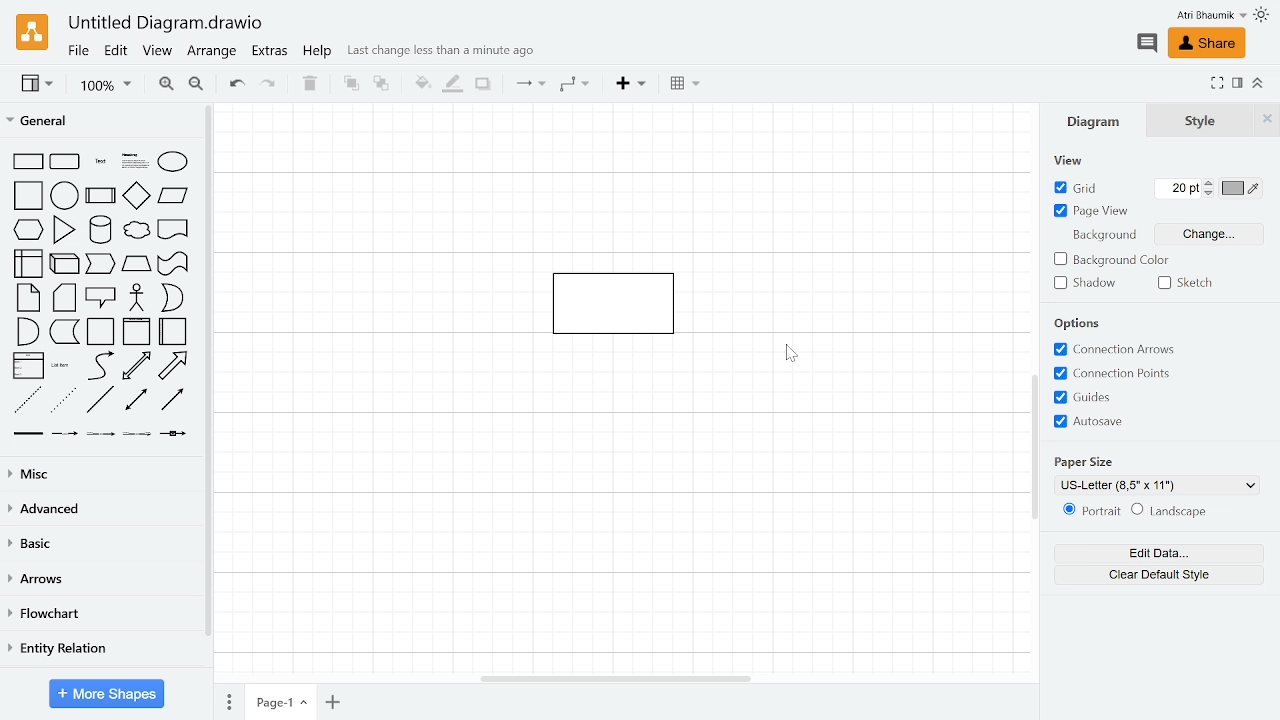 The height and width of the screenshot is (720, 1280). Describe the element at coordinates (1095, 124) in the screenshot. I see `Diagrams` at that location.